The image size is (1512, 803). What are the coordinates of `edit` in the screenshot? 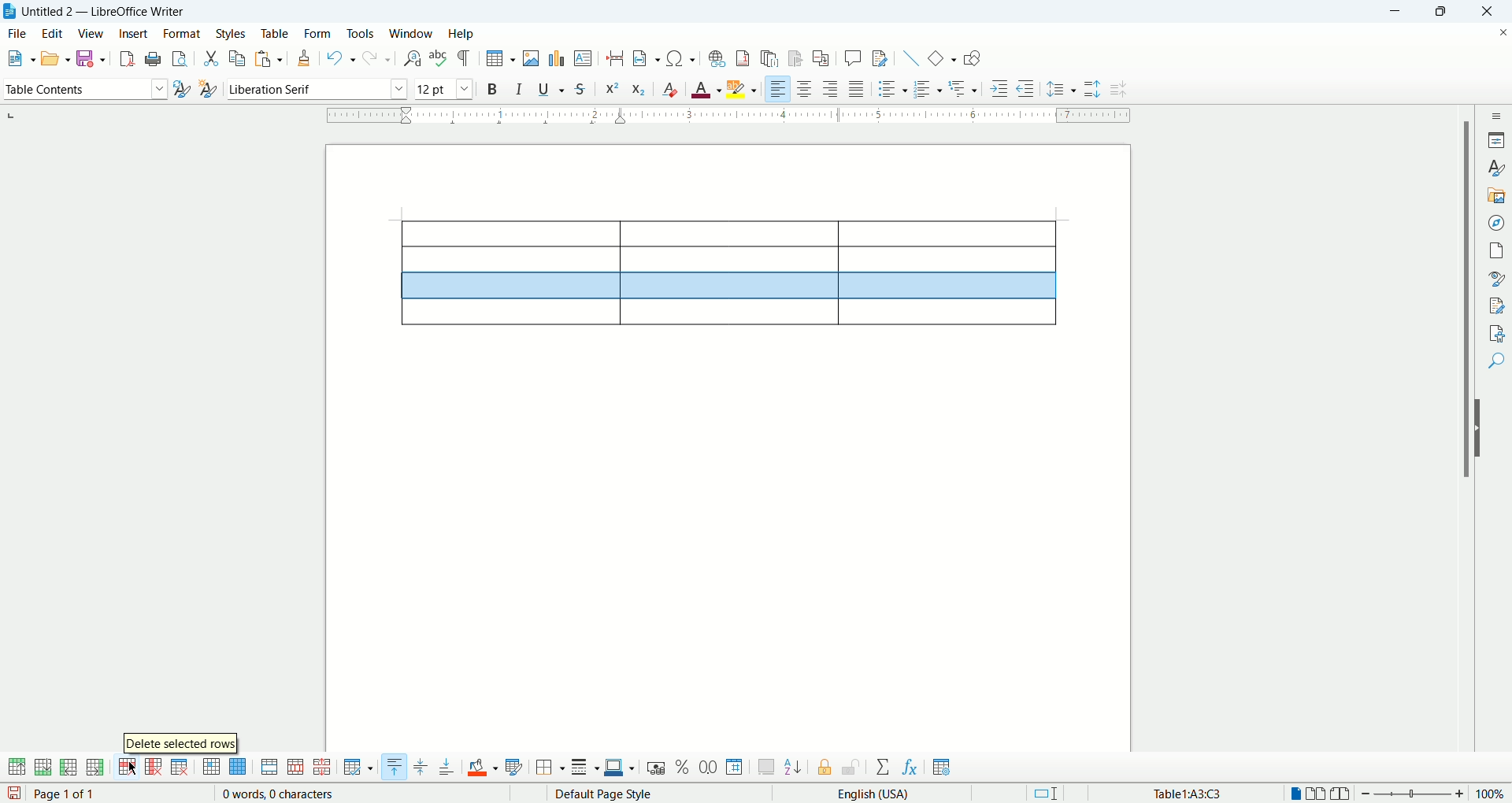 It's located at (53, 34).